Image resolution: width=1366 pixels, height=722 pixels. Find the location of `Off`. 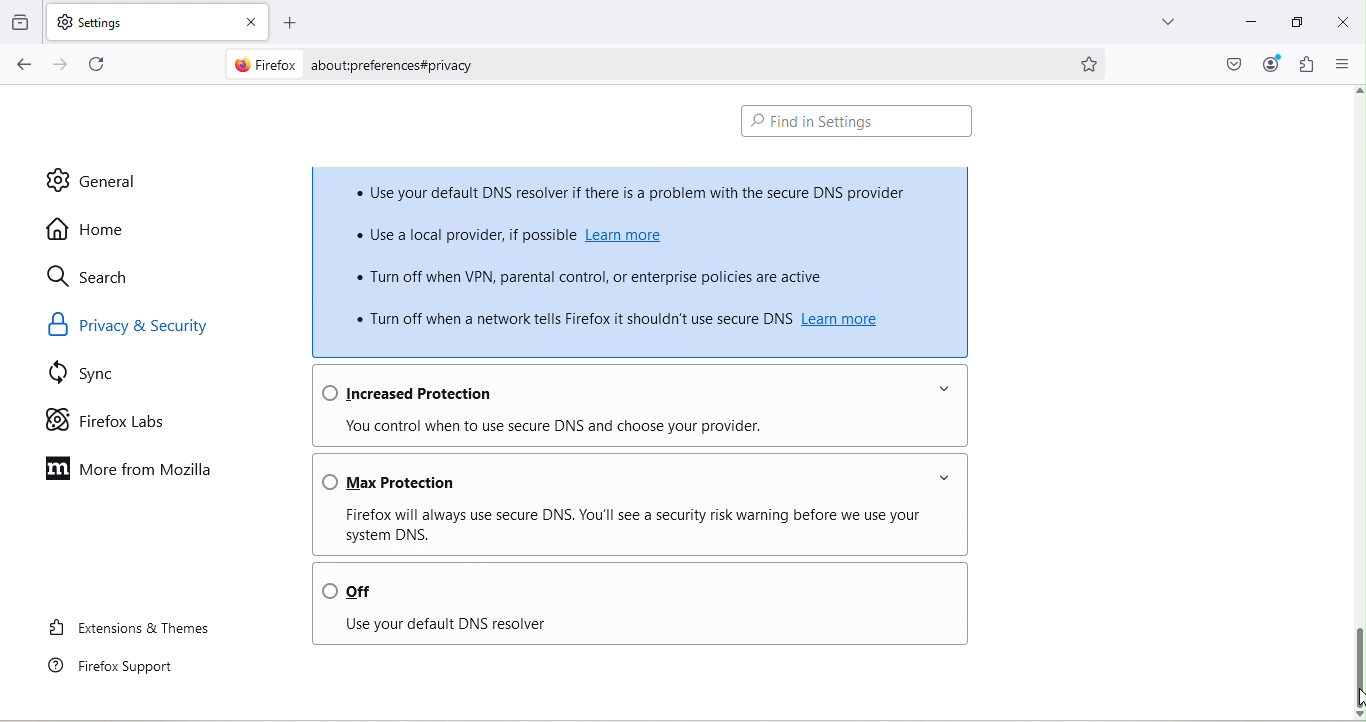

Off is located at coordinates (636, 586).